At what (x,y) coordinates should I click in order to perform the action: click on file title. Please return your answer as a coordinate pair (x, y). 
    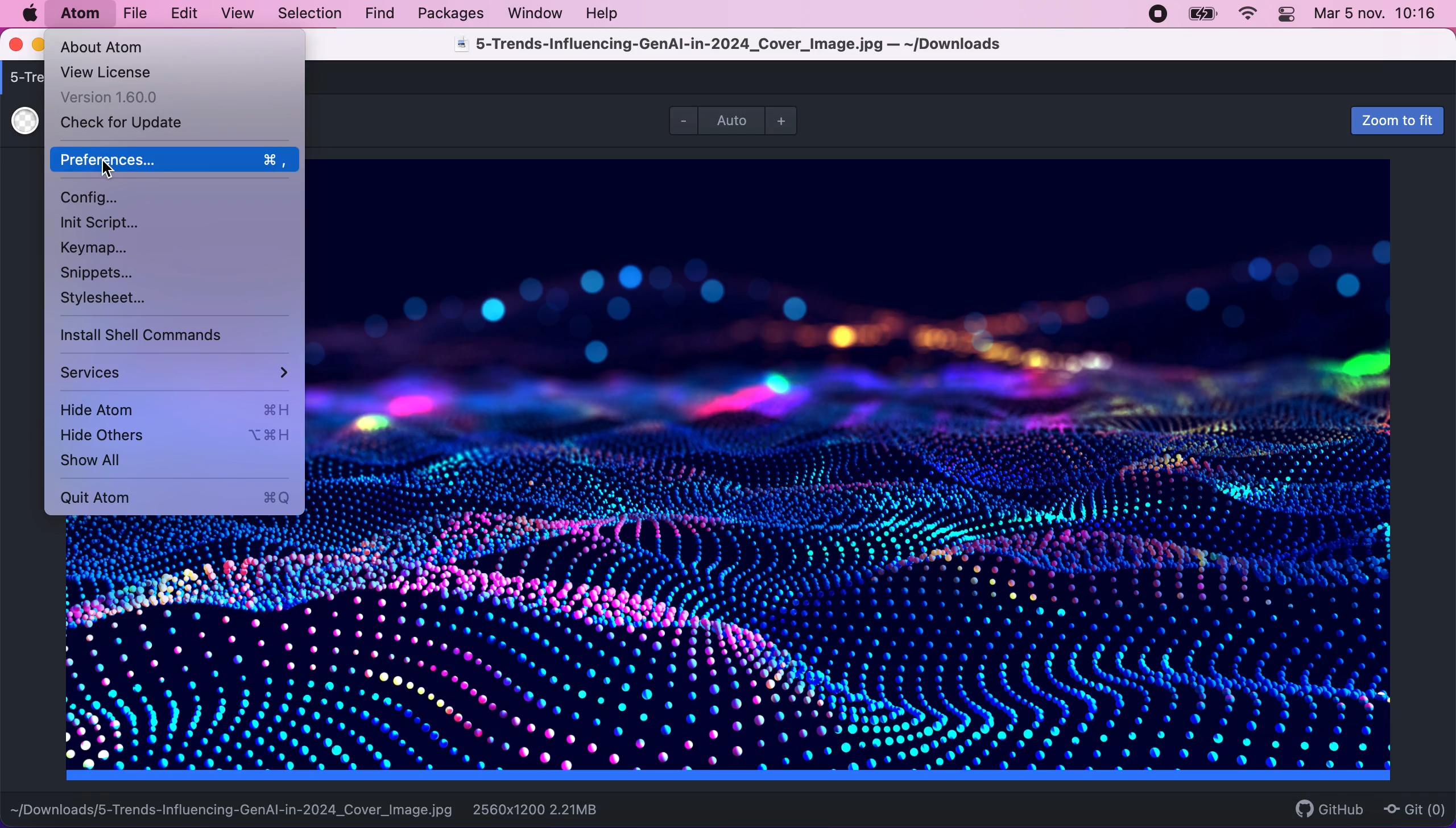
    Looking at the image, I should click on (755, 47).